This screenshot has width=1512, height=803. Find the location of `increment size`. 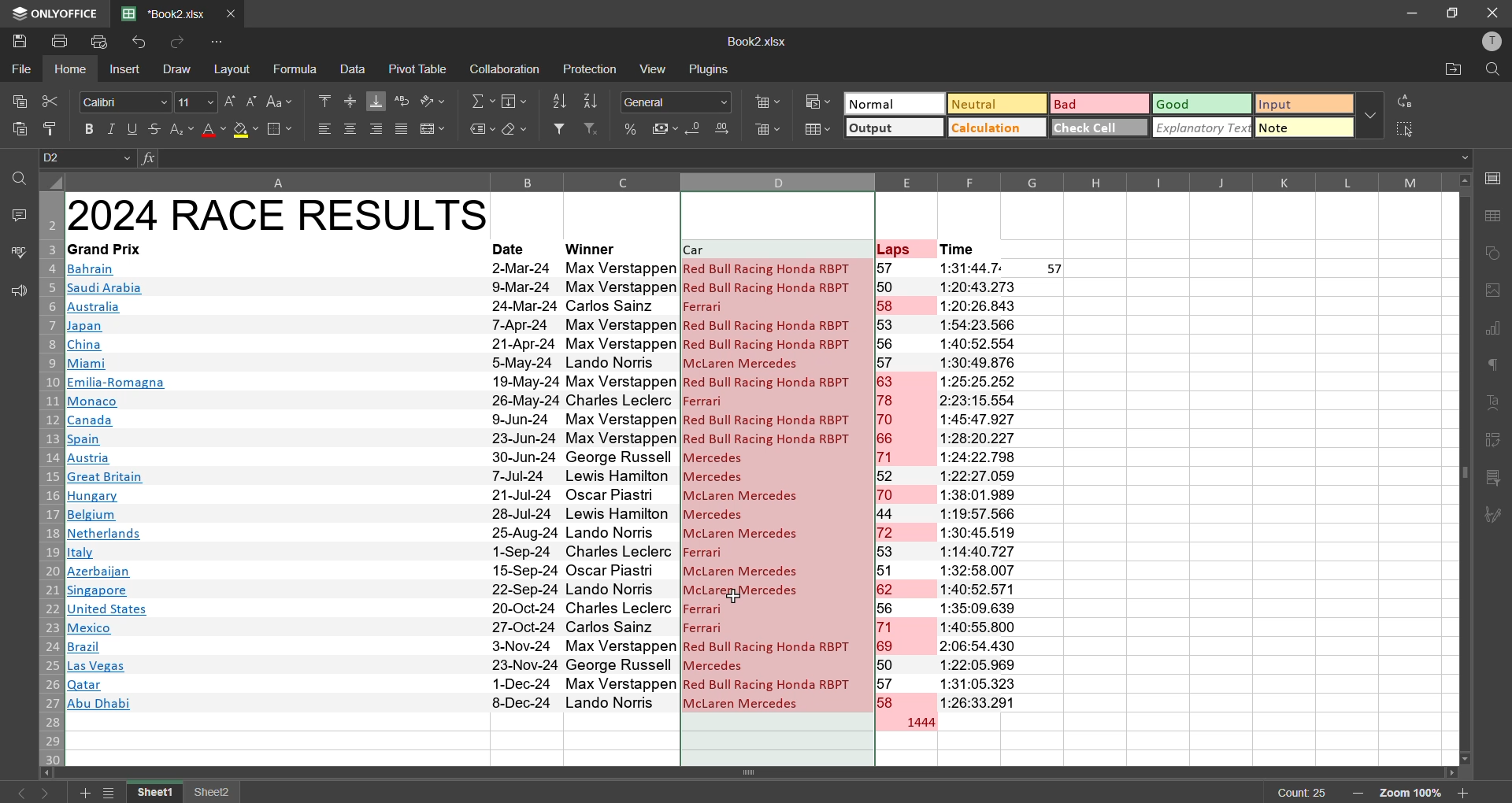

increment size is located at coordinates (230, 102).